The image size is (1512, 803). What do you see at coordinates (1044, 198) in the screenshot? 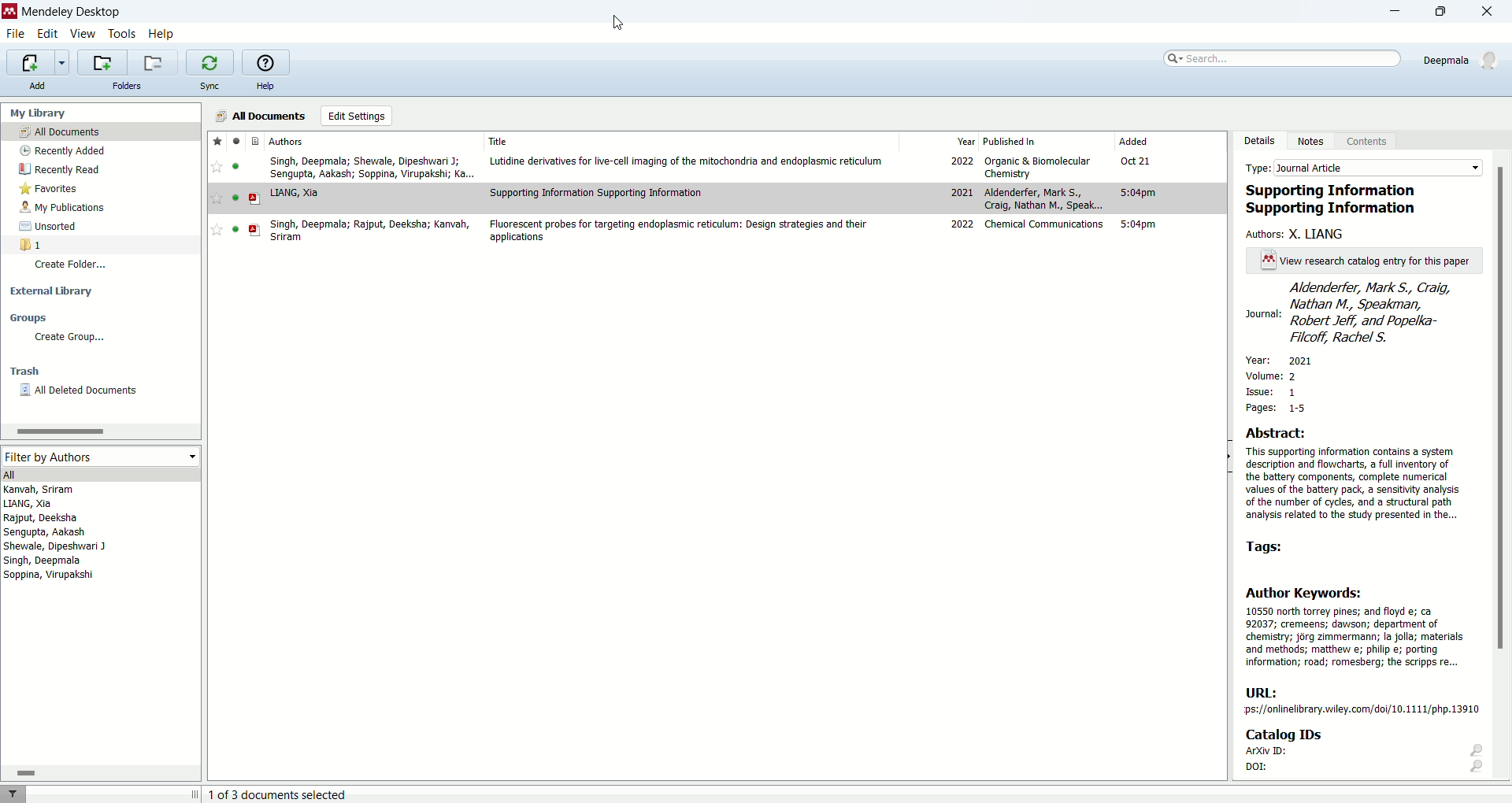
I see `Aldenderfer, Mark S.,
Craig, Nathan M., Speak...` at bounding box center [1044, 198].